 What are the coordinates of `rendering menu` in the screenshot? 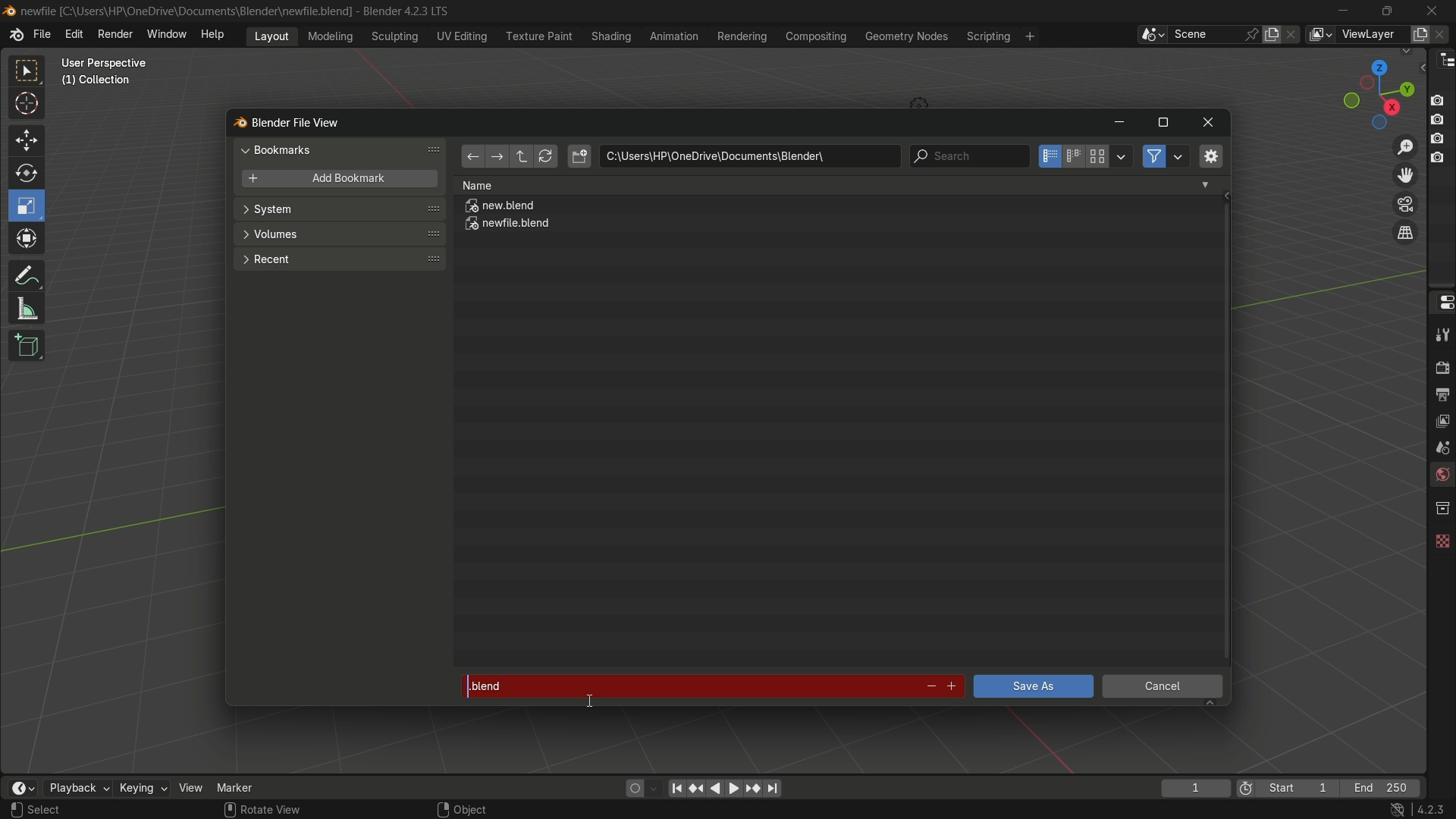 It's located at (744, 36).